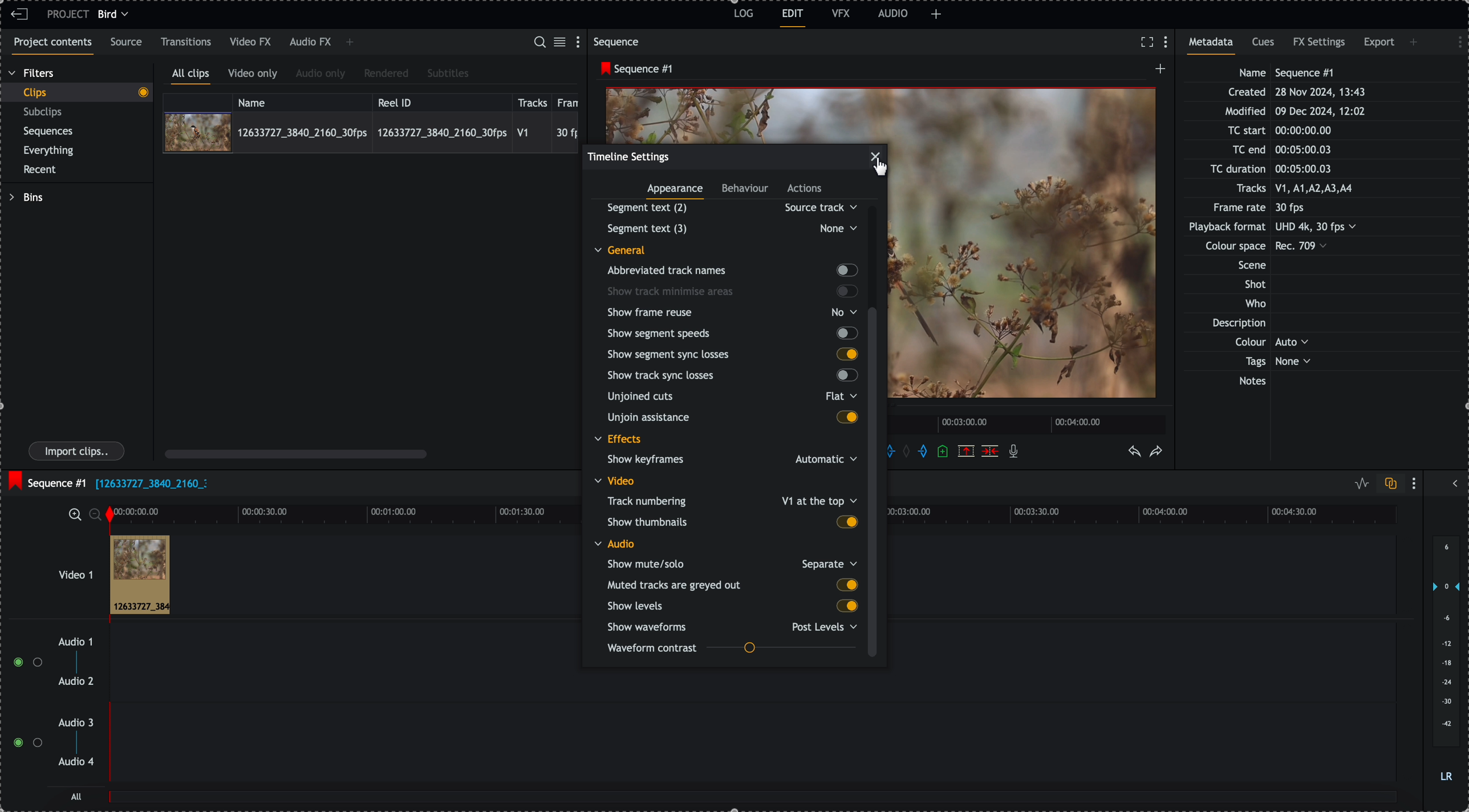 This screenshot has height=812, width=1469. Describe the element at coordinates (1359, 484) in the screenshot. I see `toggle audio levels editing` at that location.